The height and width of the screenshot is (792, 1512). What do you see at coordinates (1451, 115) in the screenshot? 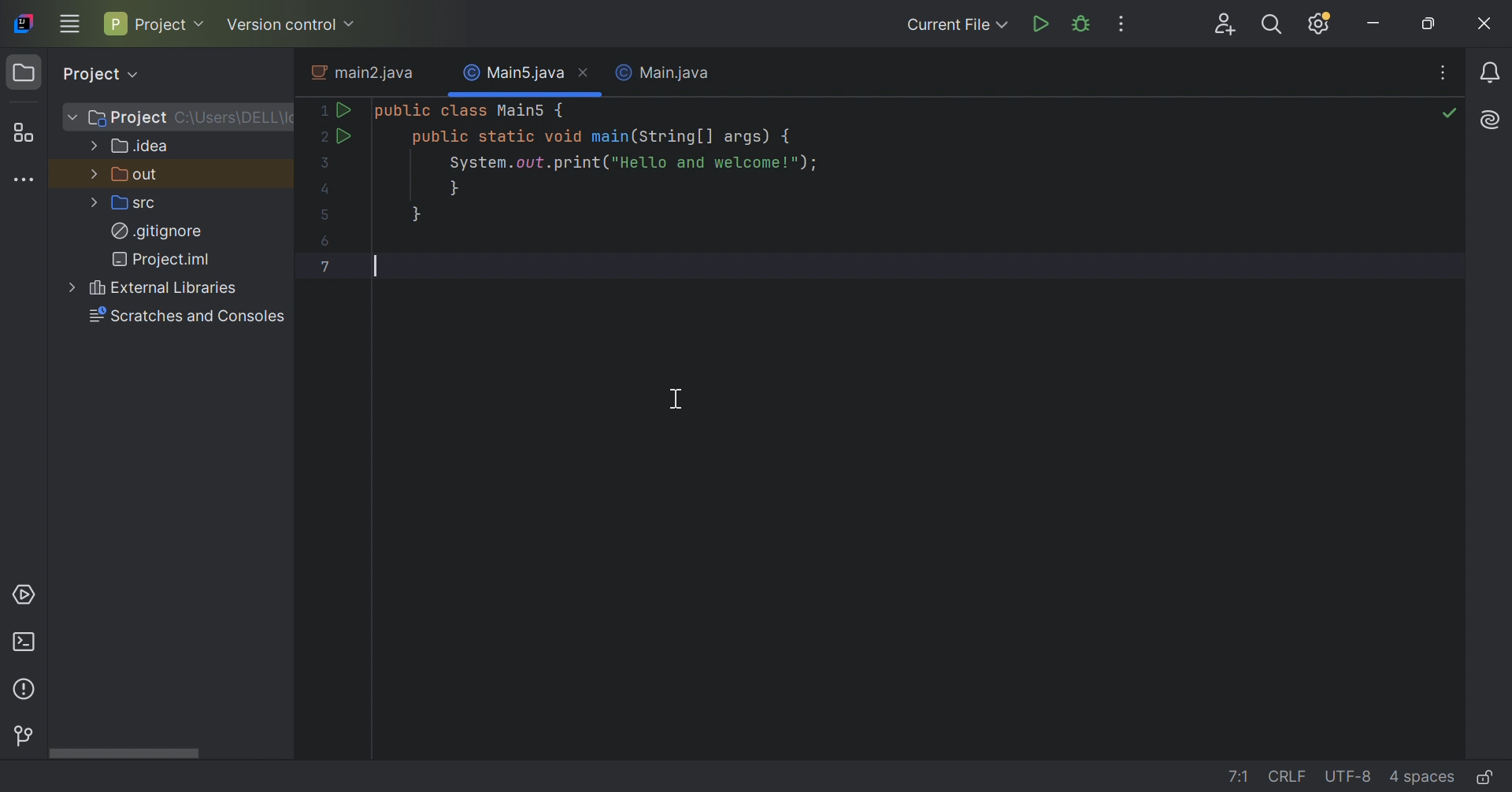
I see `No problems found` at bounding box center [1451, 115].